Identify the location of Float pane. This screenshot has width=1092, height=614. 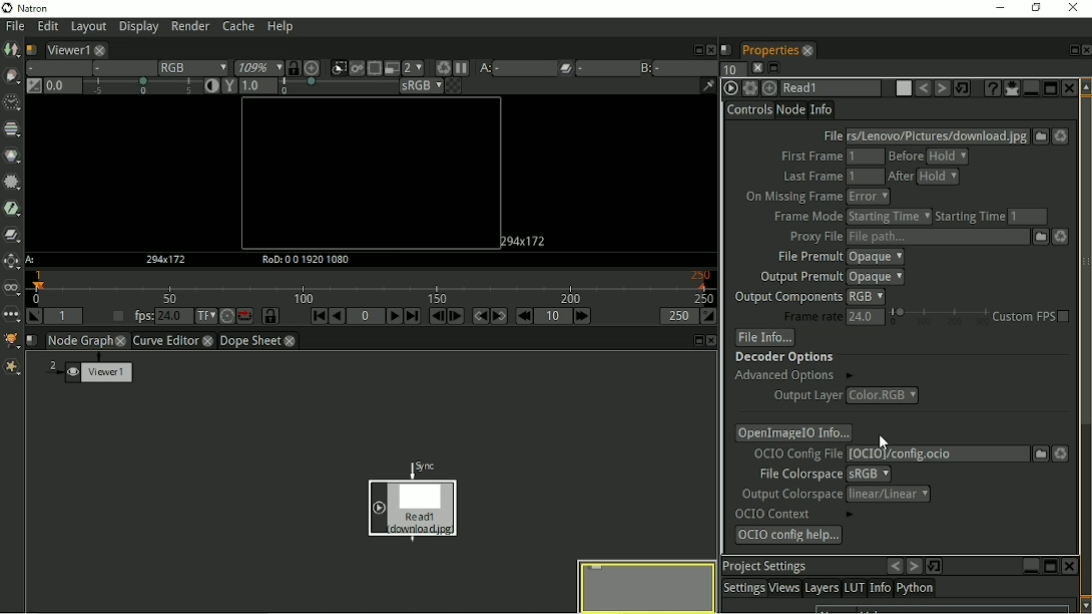
(1070, 50).